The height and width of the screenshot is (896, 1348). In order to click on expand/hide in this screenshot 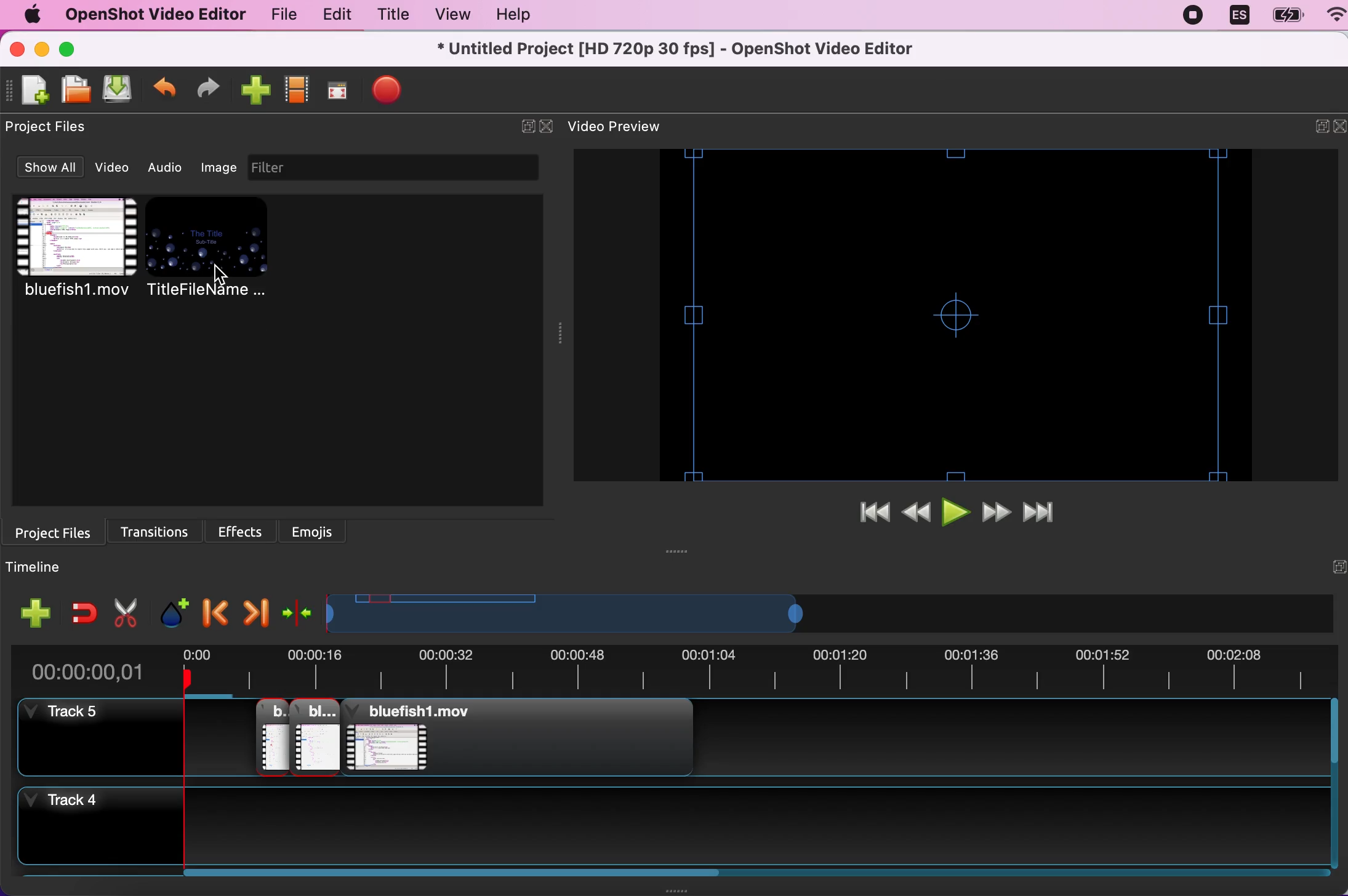, I will do `click(1313, 129)`.